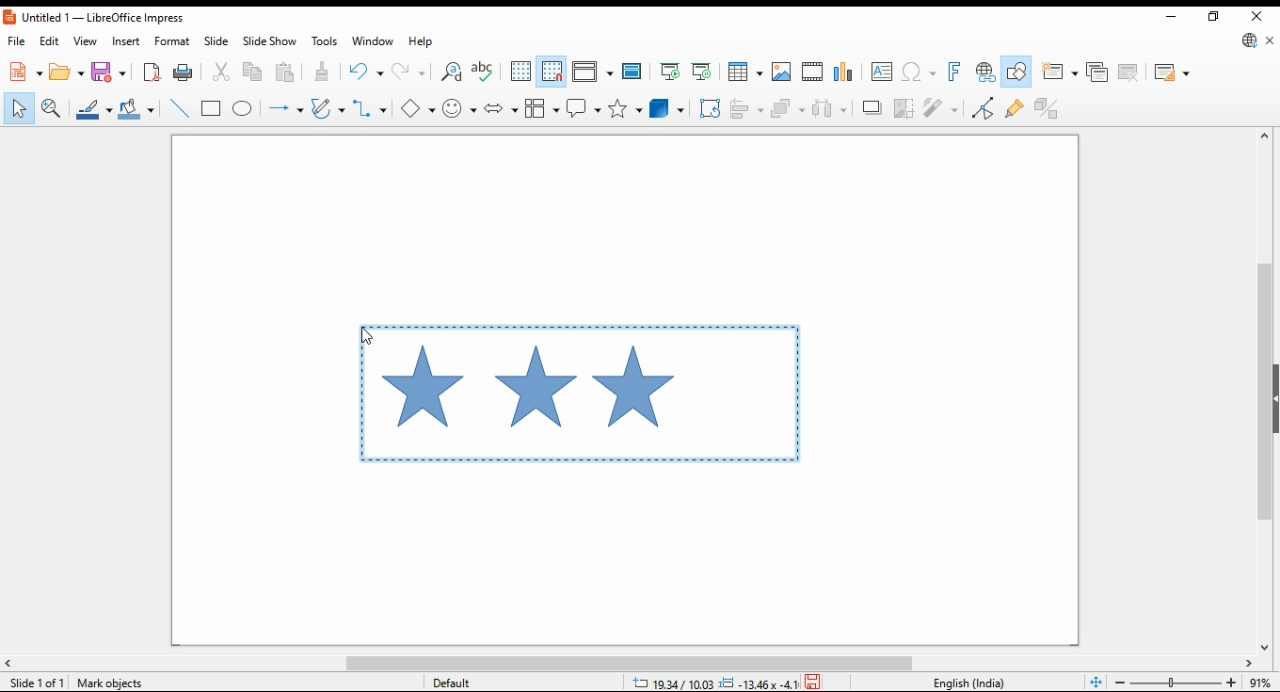 The height and width of the screenshot is (692, 1280). I want to click on slide, so click(215, 41).